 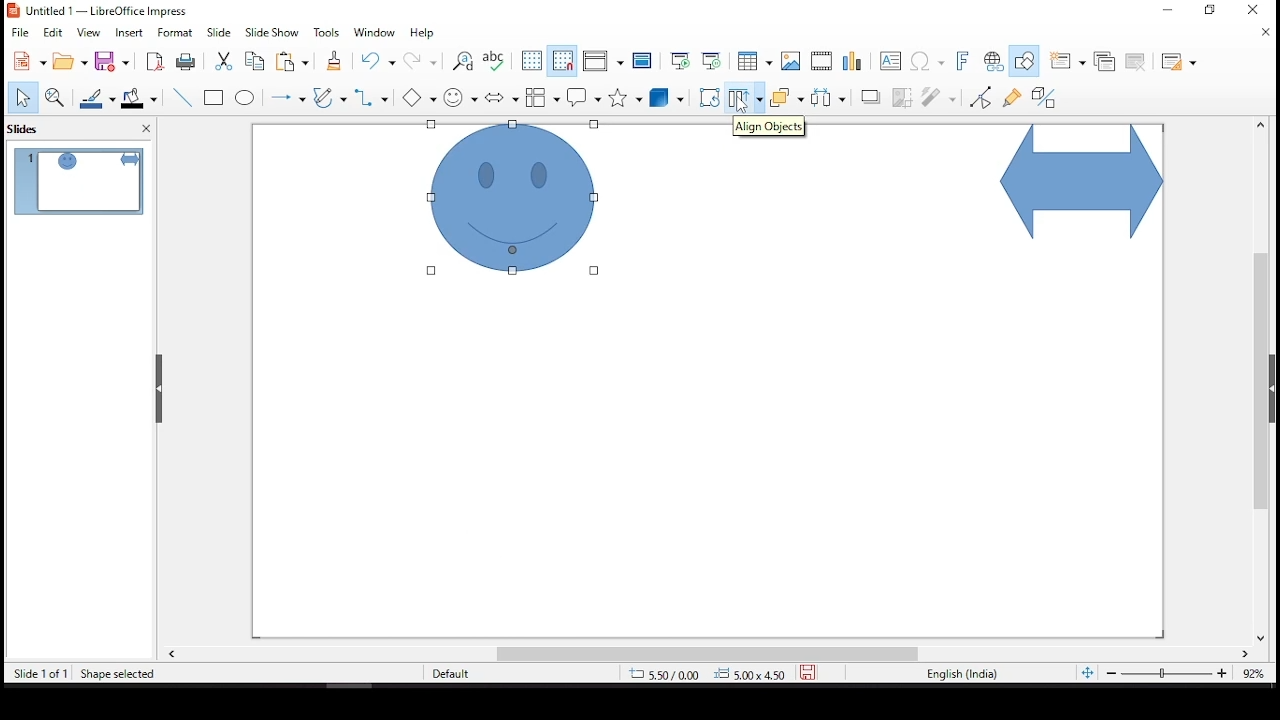 What do you see at coordinates (245, 98) in the screenshot?
I see `ellipse` at bounding box center [245, 98].